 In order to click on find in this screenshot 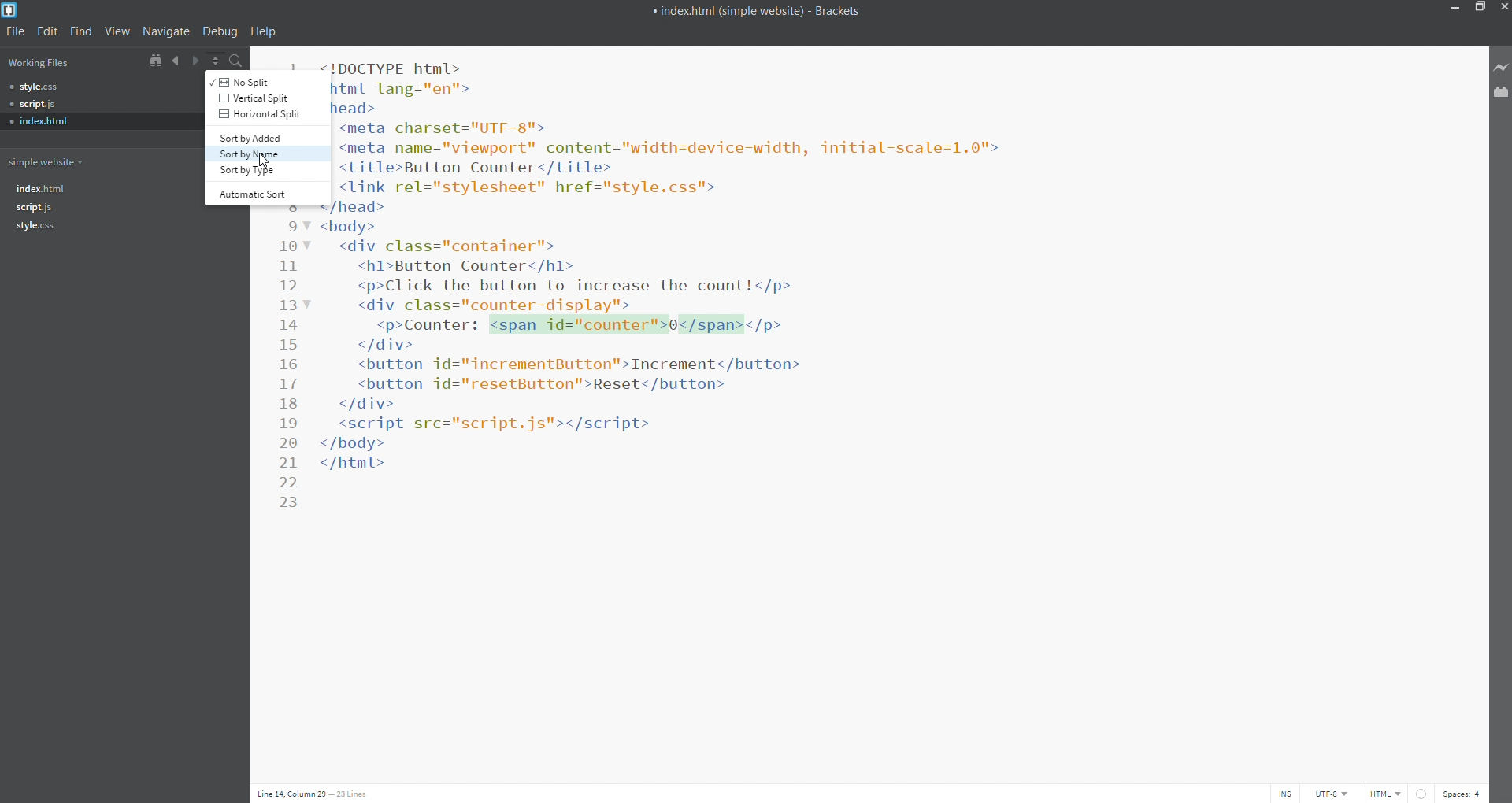, I will do `click(82, 30)`.